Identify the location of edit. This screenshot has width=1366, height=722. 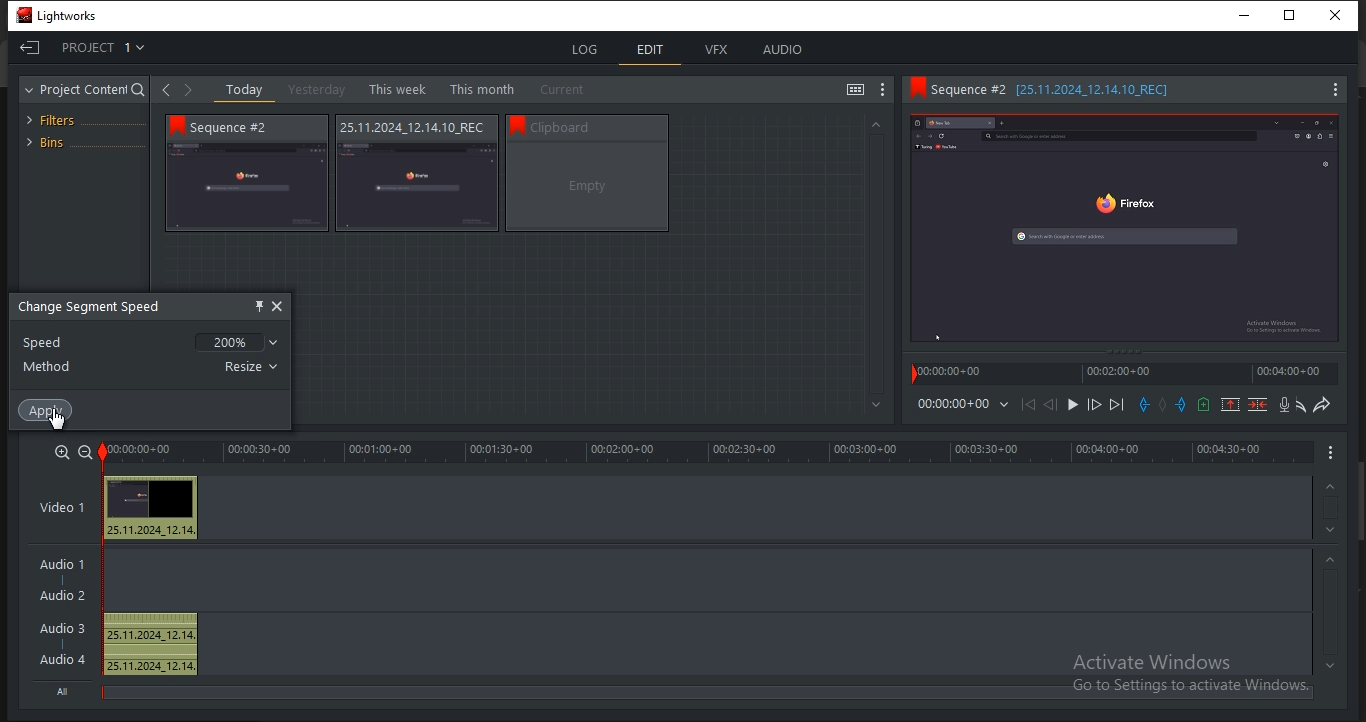
(653, 48).